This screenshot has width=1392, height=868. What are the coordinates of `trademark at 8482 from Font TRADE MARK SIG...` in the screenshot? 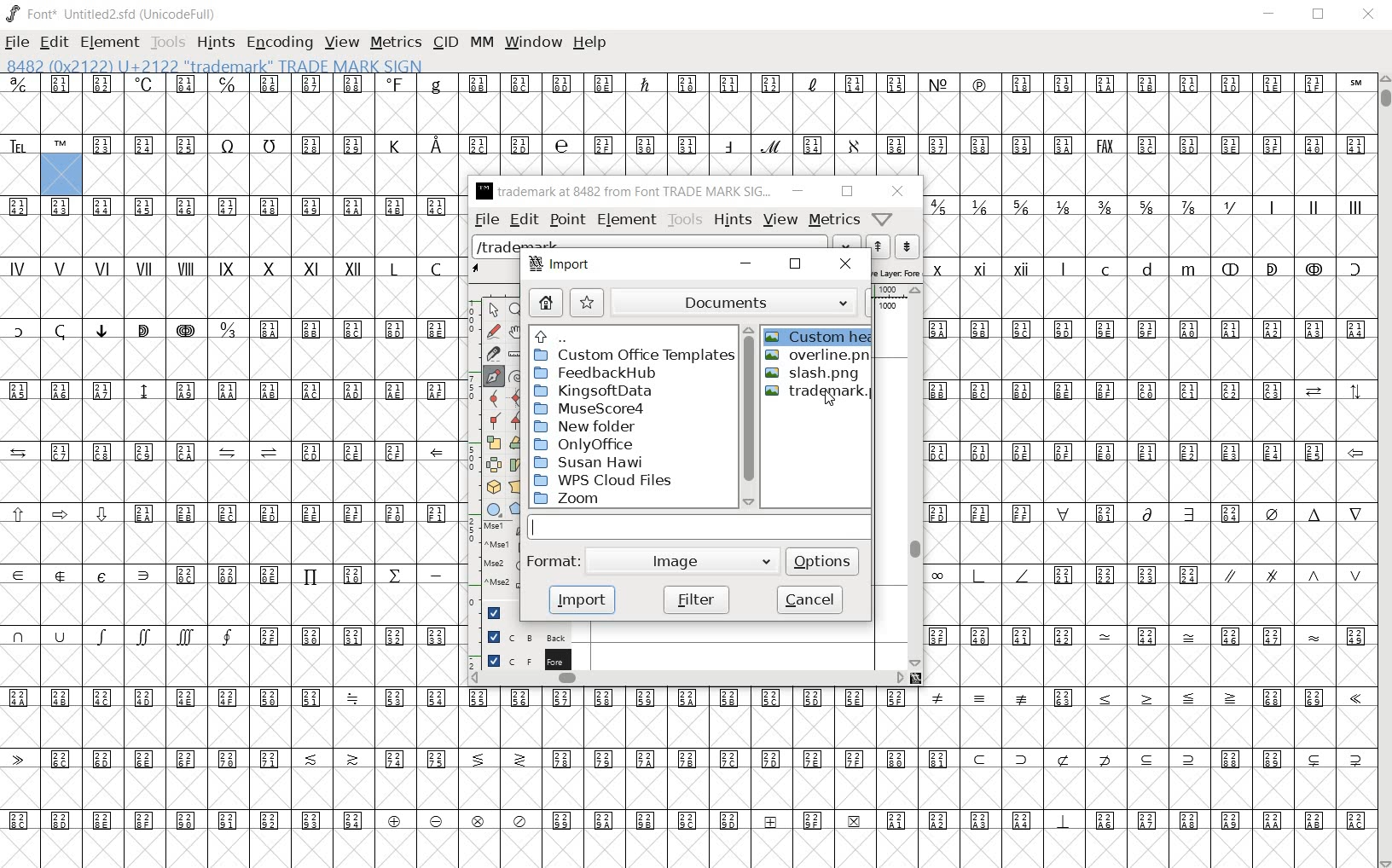 It's located at (624, 192).